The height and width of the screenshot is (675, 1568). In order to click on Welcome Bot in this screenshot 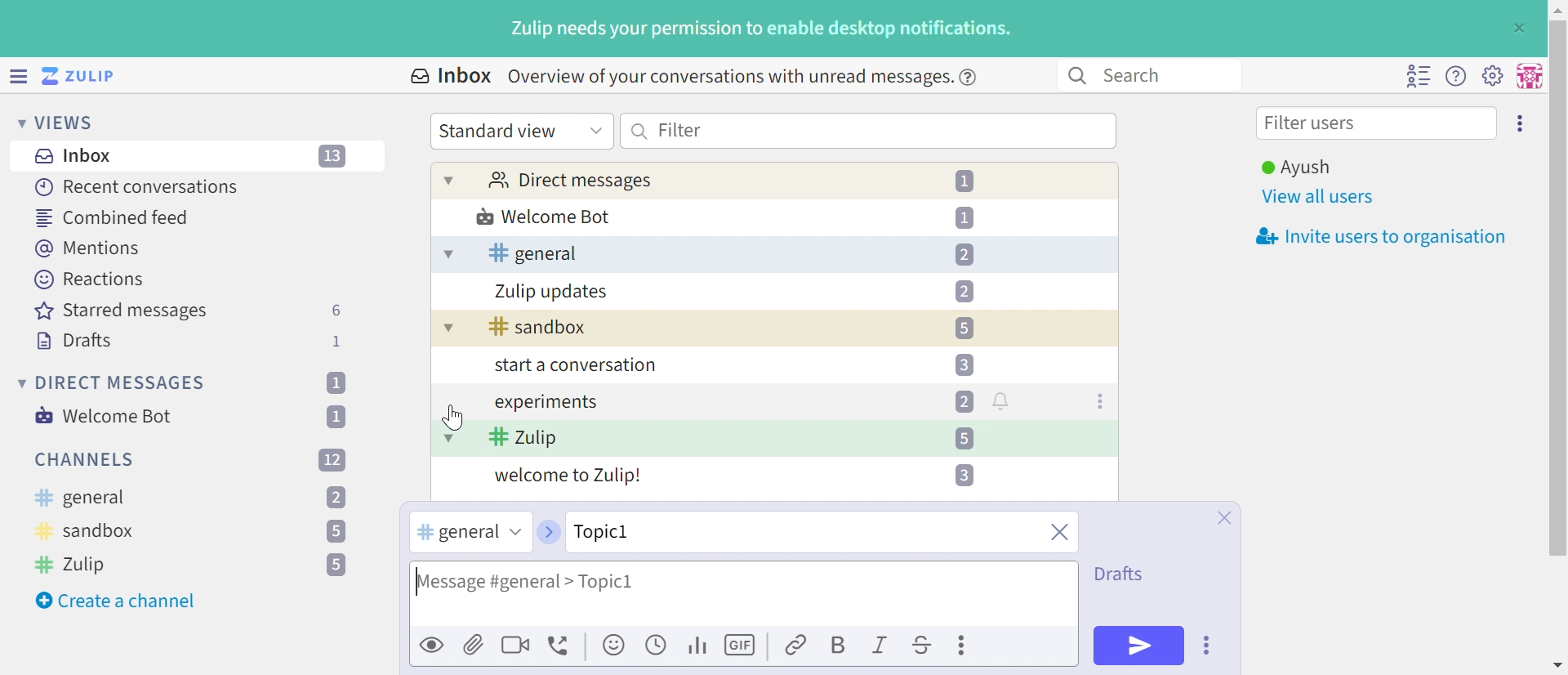, I will do `click(105, 416)`.